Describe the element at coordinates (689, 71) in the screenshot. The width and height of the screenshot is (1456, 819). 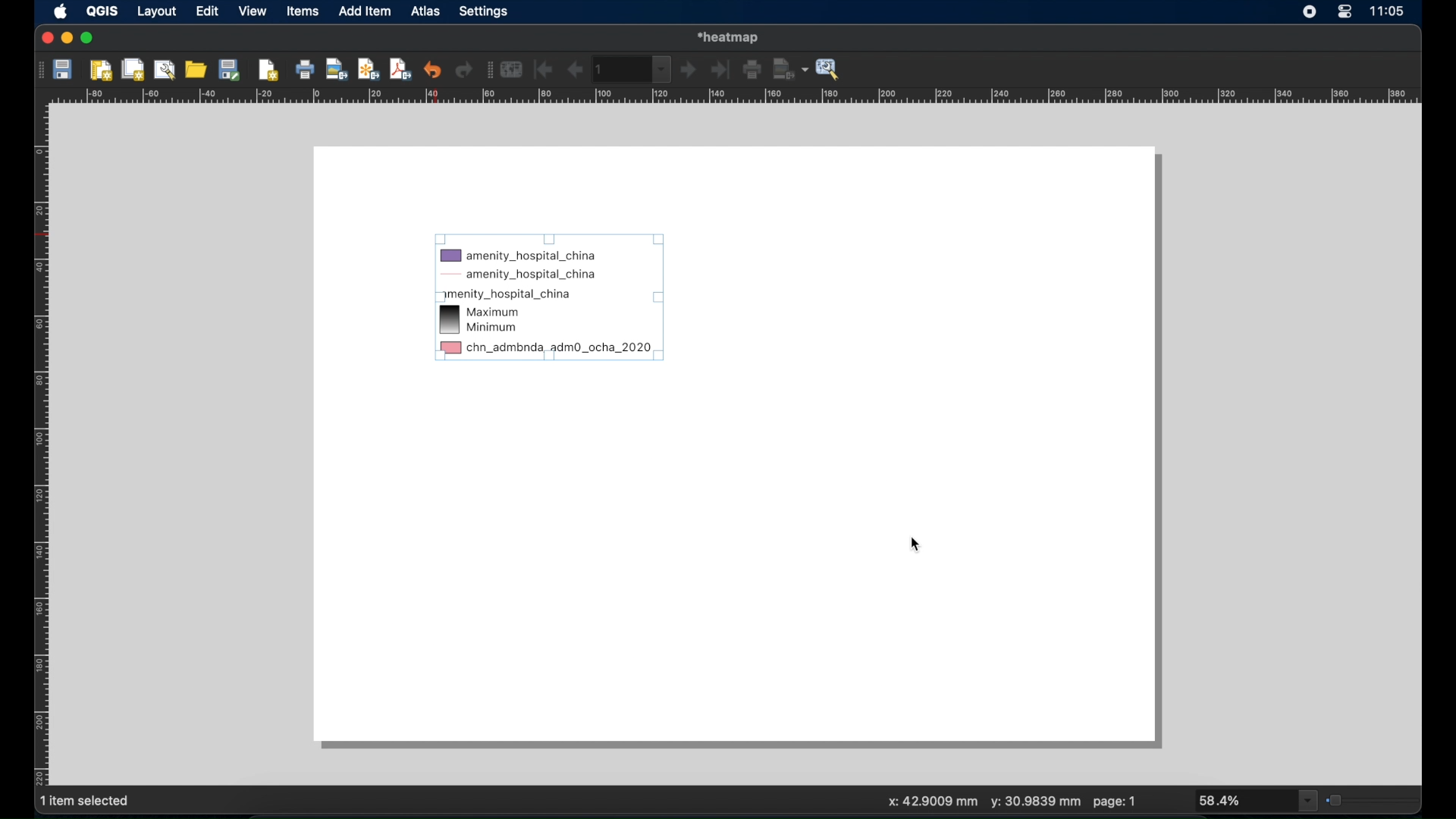
I see `next feature` at that location.